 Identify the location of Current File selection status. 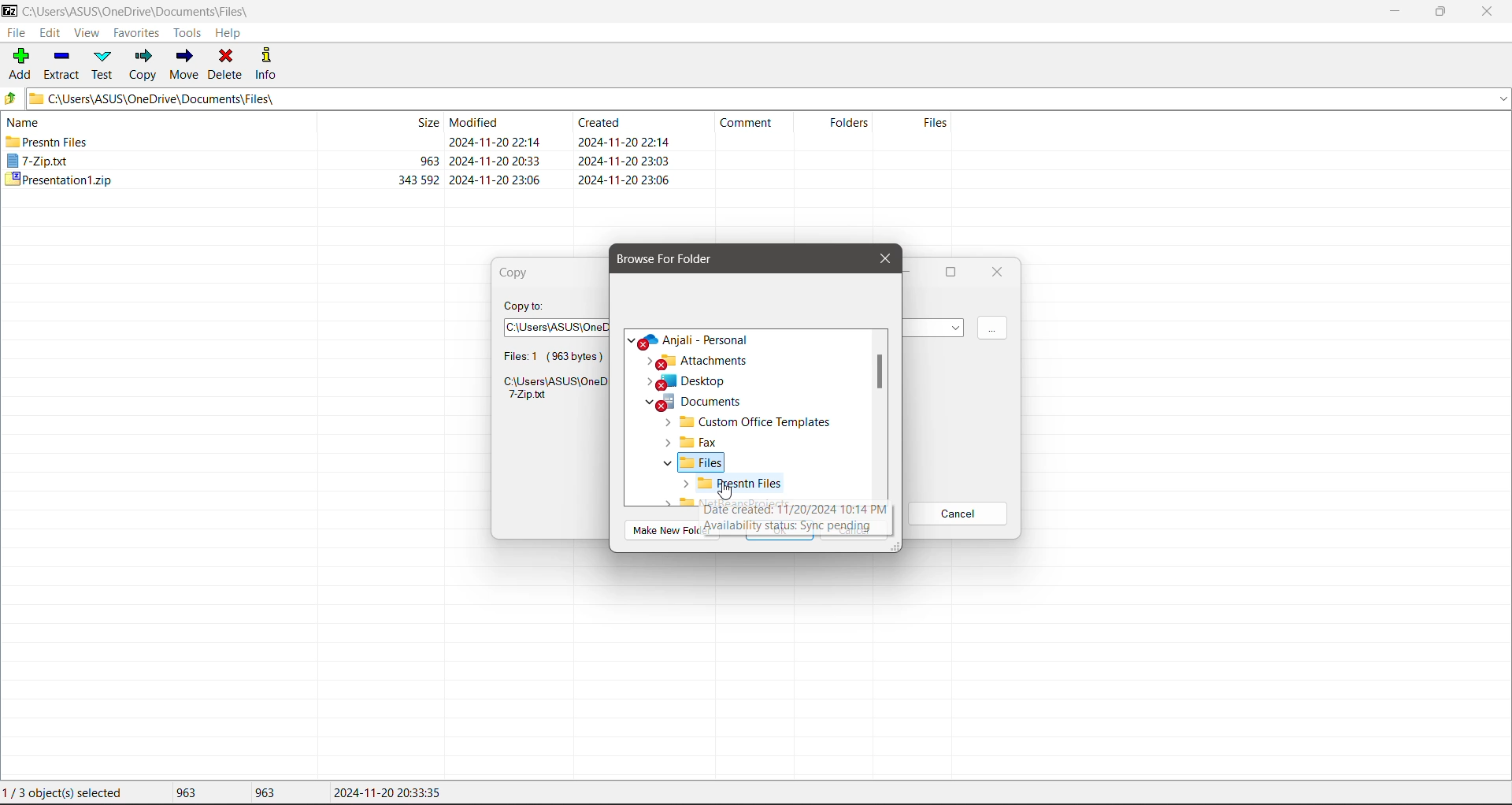
(66, 793).